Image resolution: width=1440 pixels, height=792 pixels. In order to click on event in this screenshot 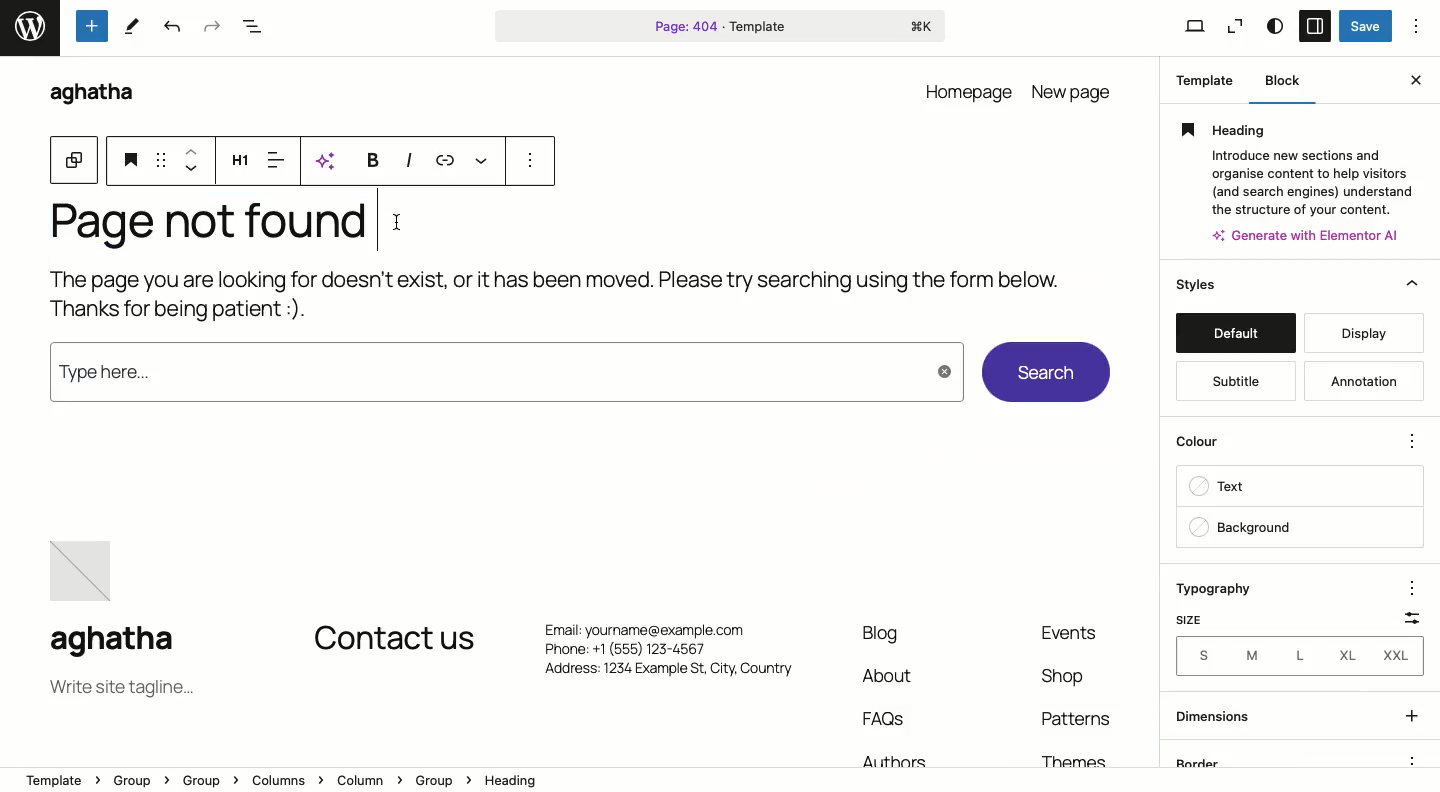, I will do `click(1075, 632)`.